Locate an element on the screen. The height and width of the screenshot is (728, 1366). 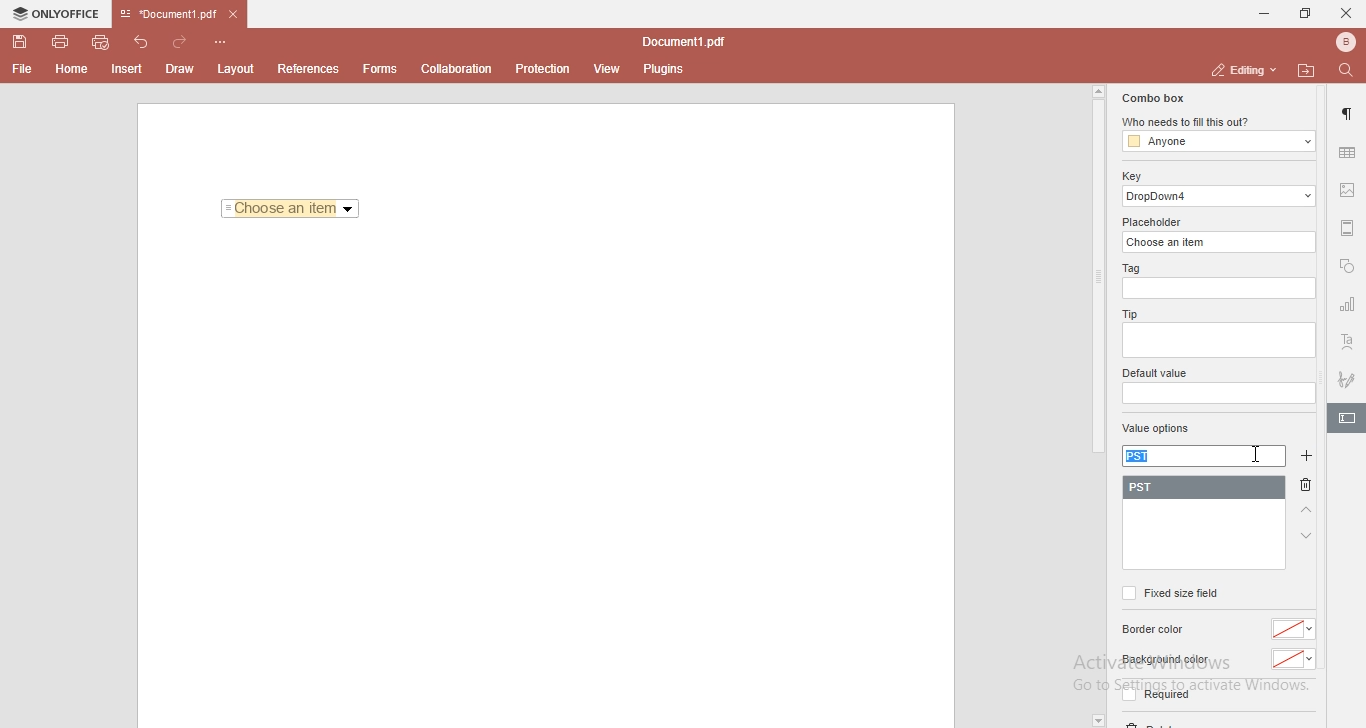
customise quick access toolbar is located at coordinates (224, 41).